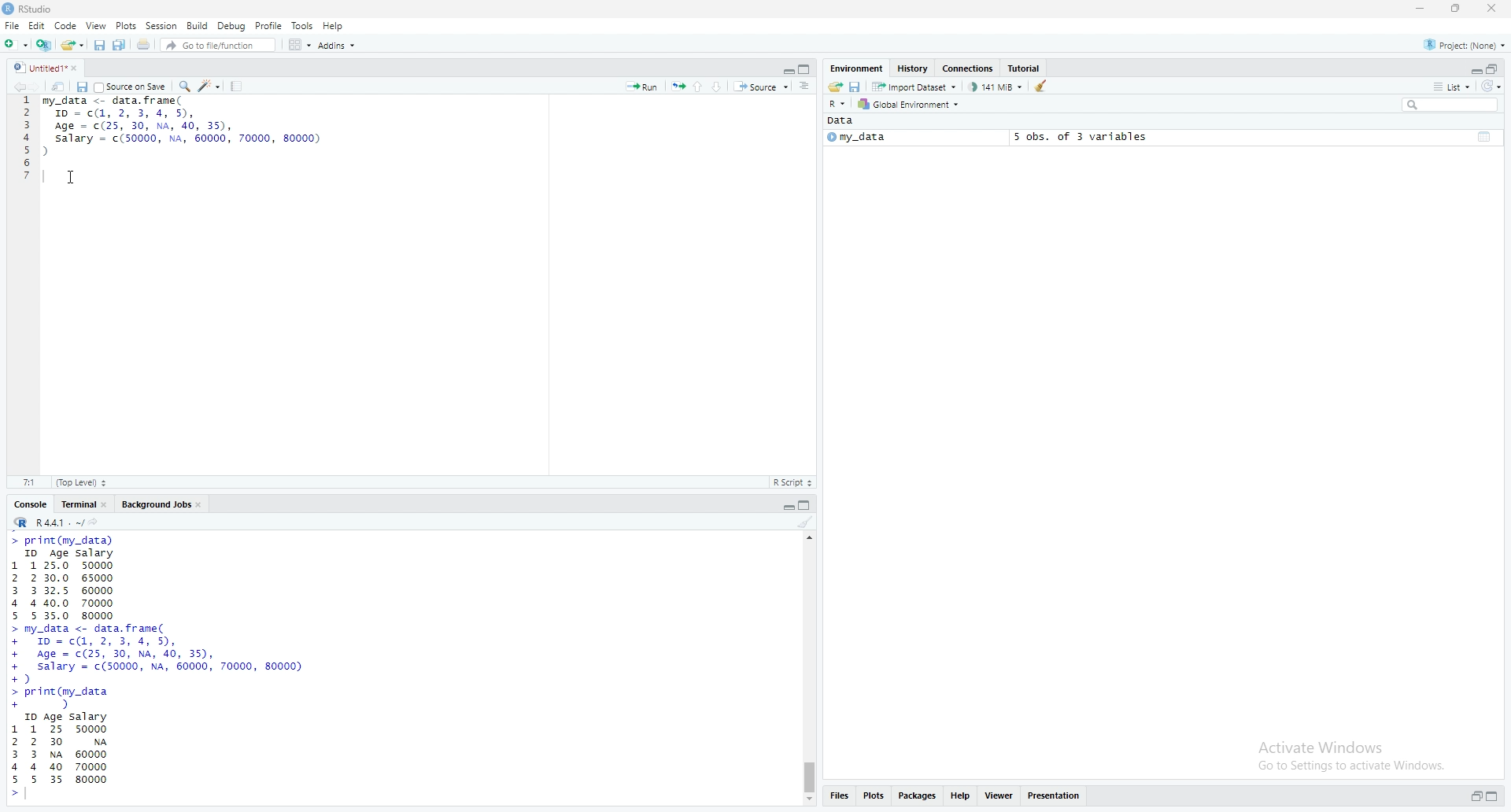  What do you see at coordinates (786, 70) in the screenshot?
I see `expand` at bounding box center [786, 70].